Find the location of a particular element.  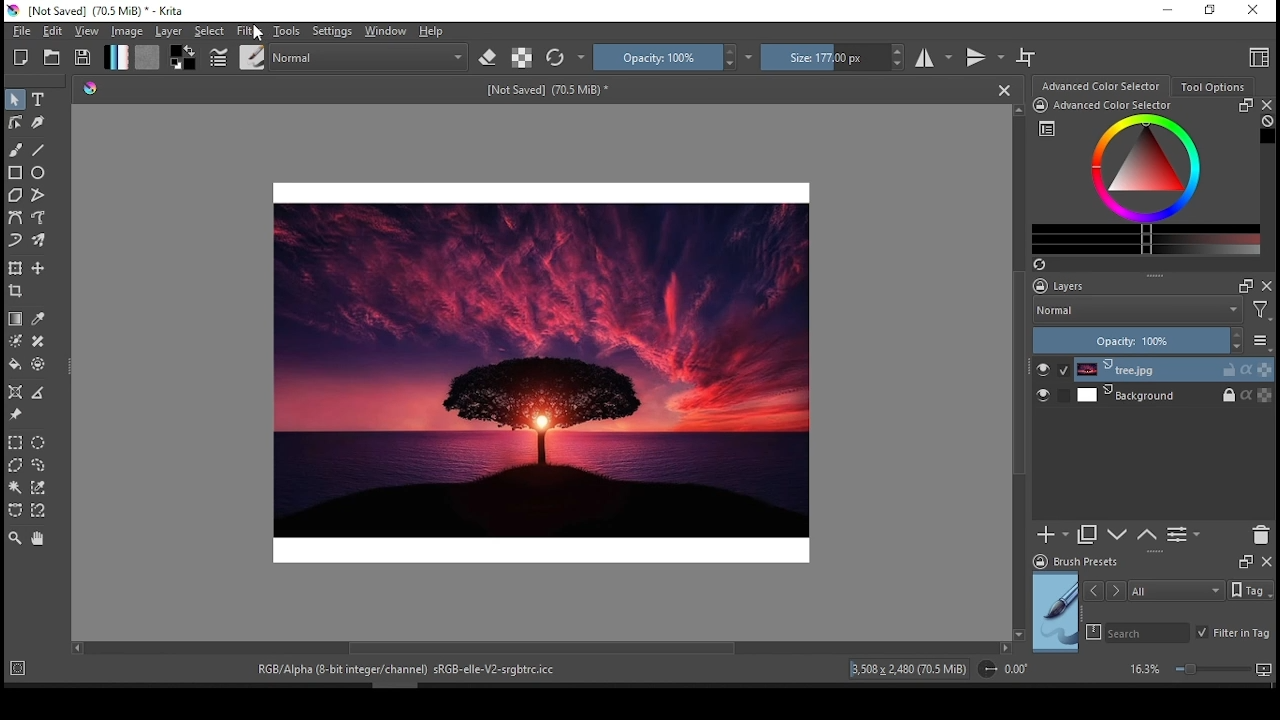

new is located at coordinates (21, 58).